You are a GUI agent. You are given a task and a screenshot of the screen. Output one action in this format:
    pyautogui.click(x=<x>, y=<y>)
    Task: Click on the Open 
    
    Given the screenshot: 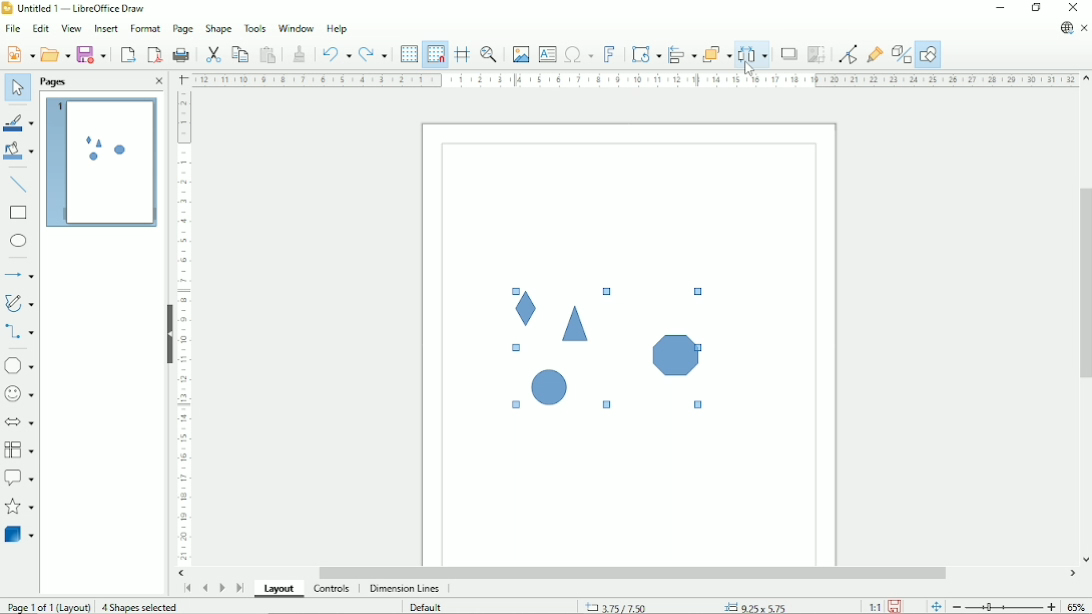 What is the action you would take?
    pyautogui.click(x=55, y=55)
    